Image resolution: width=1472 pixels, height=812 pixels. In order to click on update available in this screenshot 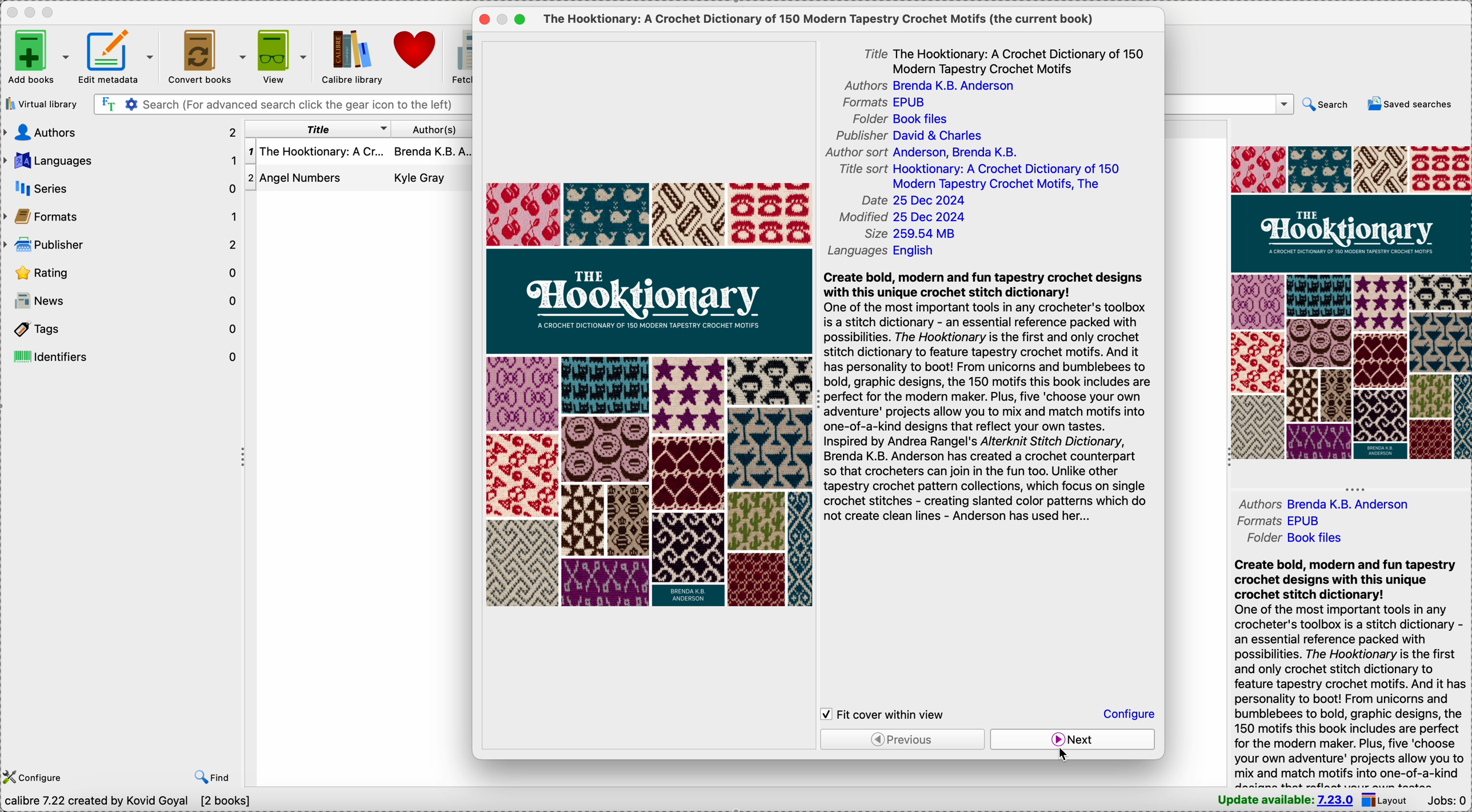, I will do `click(1286, 801)`.